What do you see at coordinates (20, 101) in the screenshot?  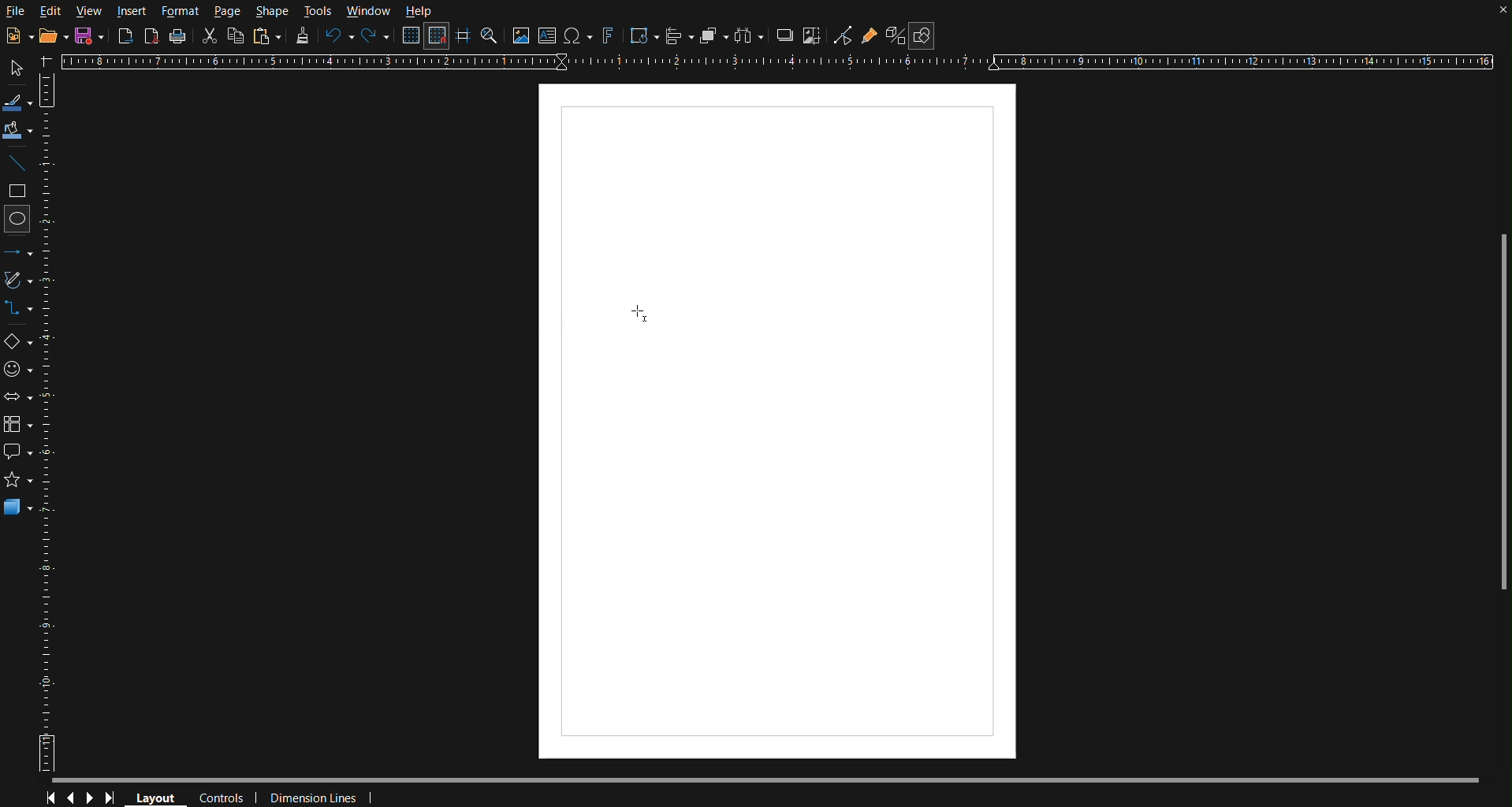 I see `Line Color` at bounding box center [20, 101].